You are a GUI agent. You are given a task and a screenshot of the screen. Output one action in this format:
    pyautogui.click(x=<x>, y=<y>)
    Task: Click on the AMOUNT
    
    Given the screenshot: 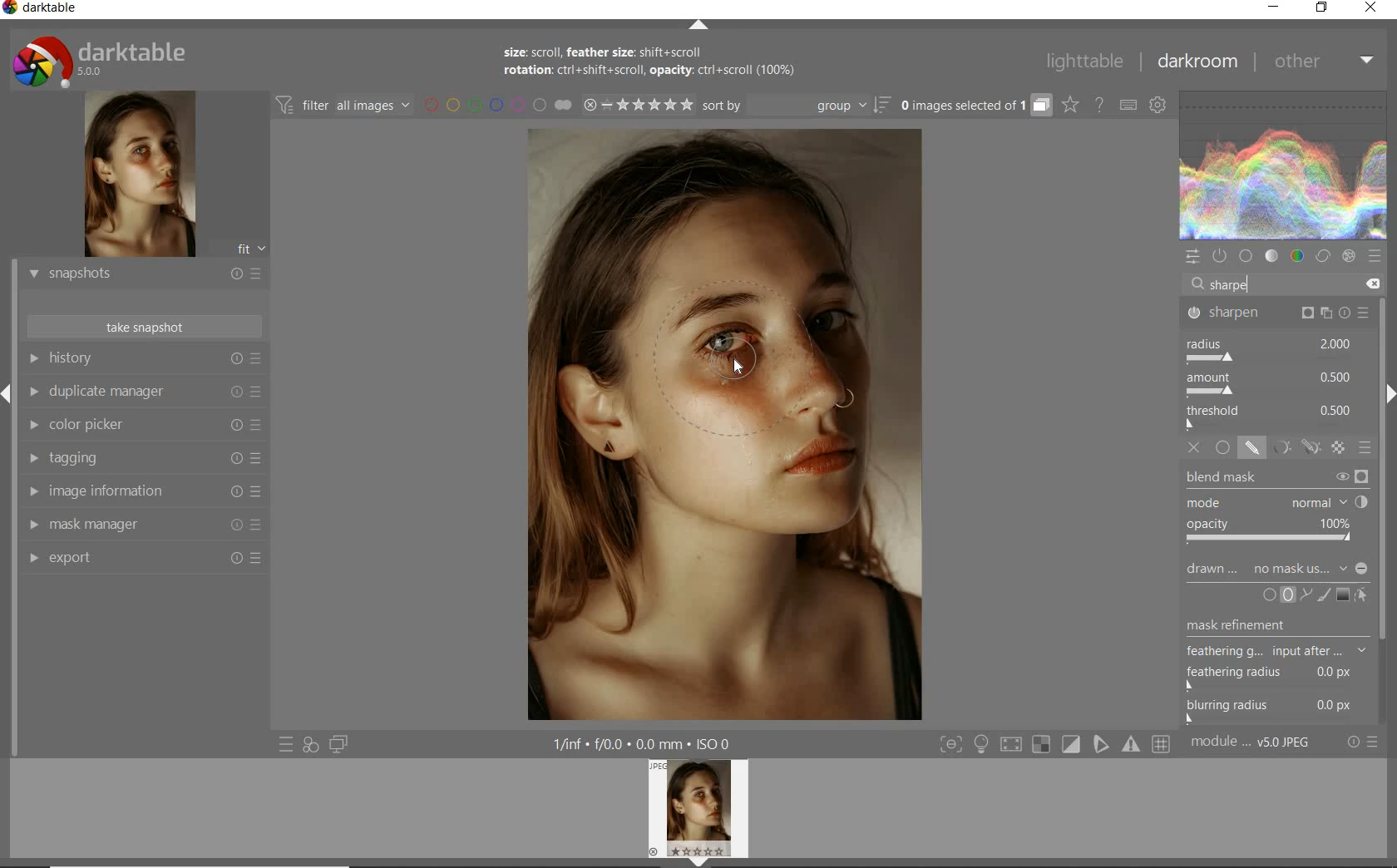 What is the action you would take?
    pyautogui.click(x=1270, y=386)
    